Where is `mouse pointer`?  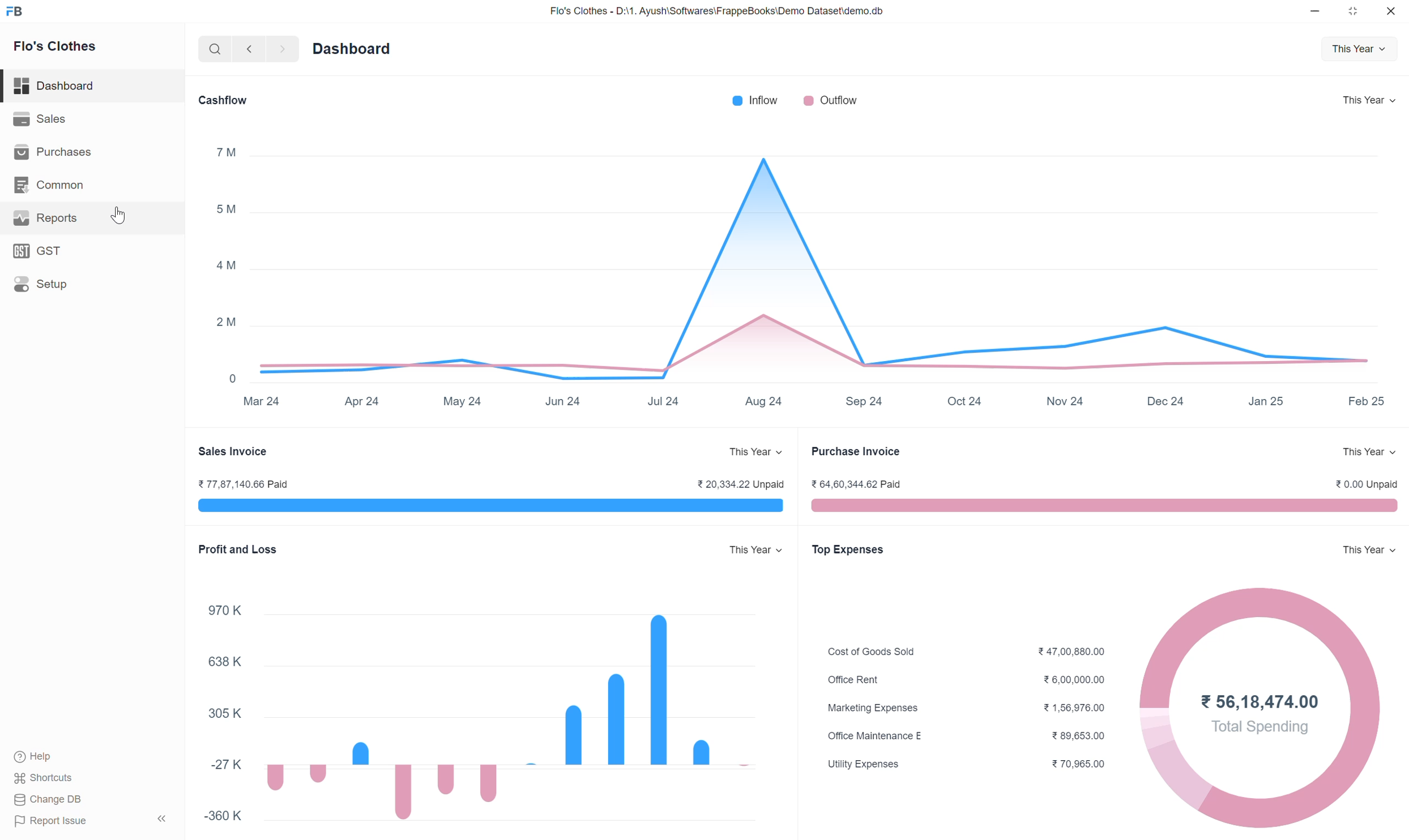 mouse pointer is located at coordinates (119, 217).